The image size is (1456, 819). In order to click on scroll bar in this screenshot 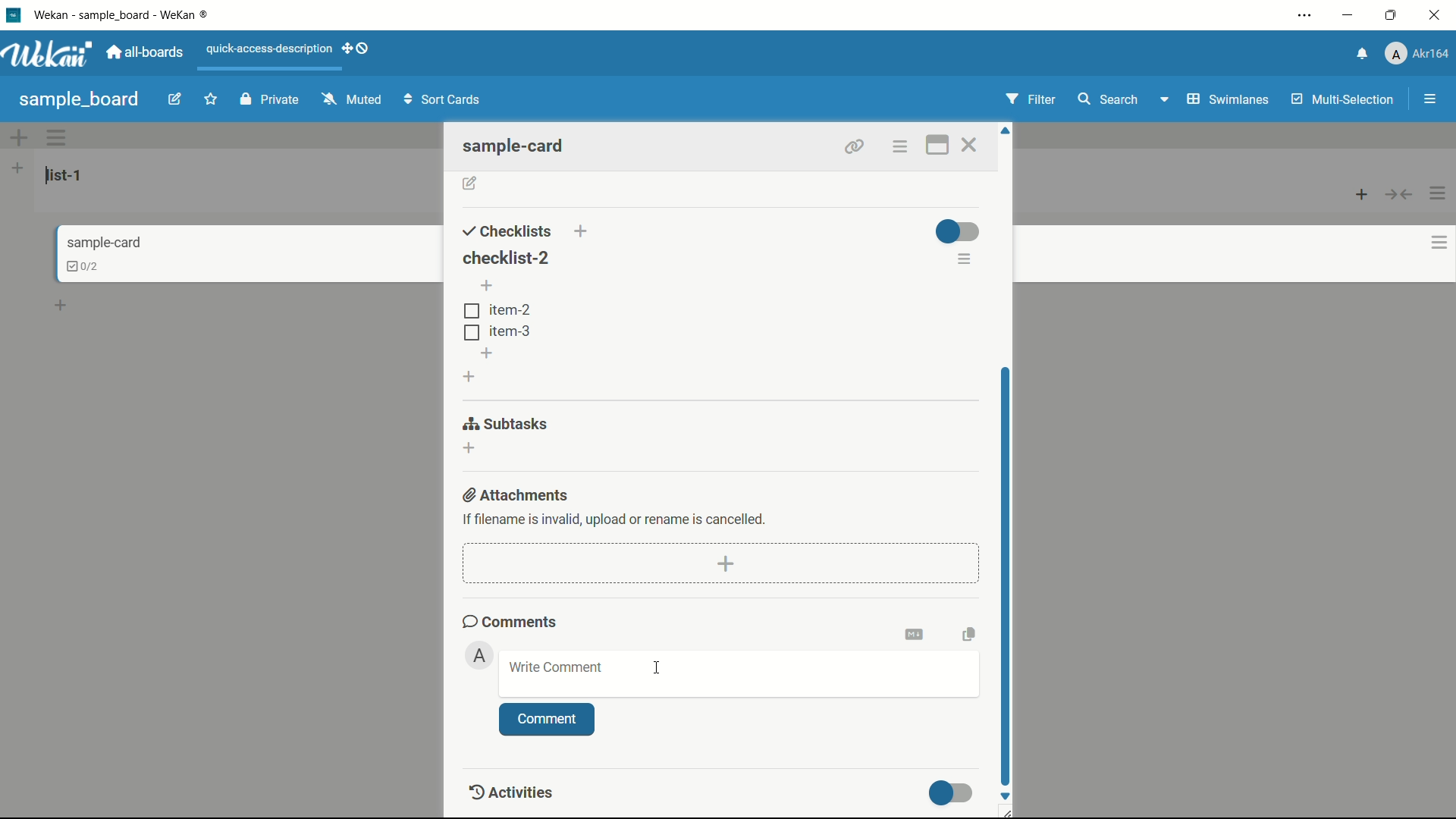, I will do `click(1009, 575)`.